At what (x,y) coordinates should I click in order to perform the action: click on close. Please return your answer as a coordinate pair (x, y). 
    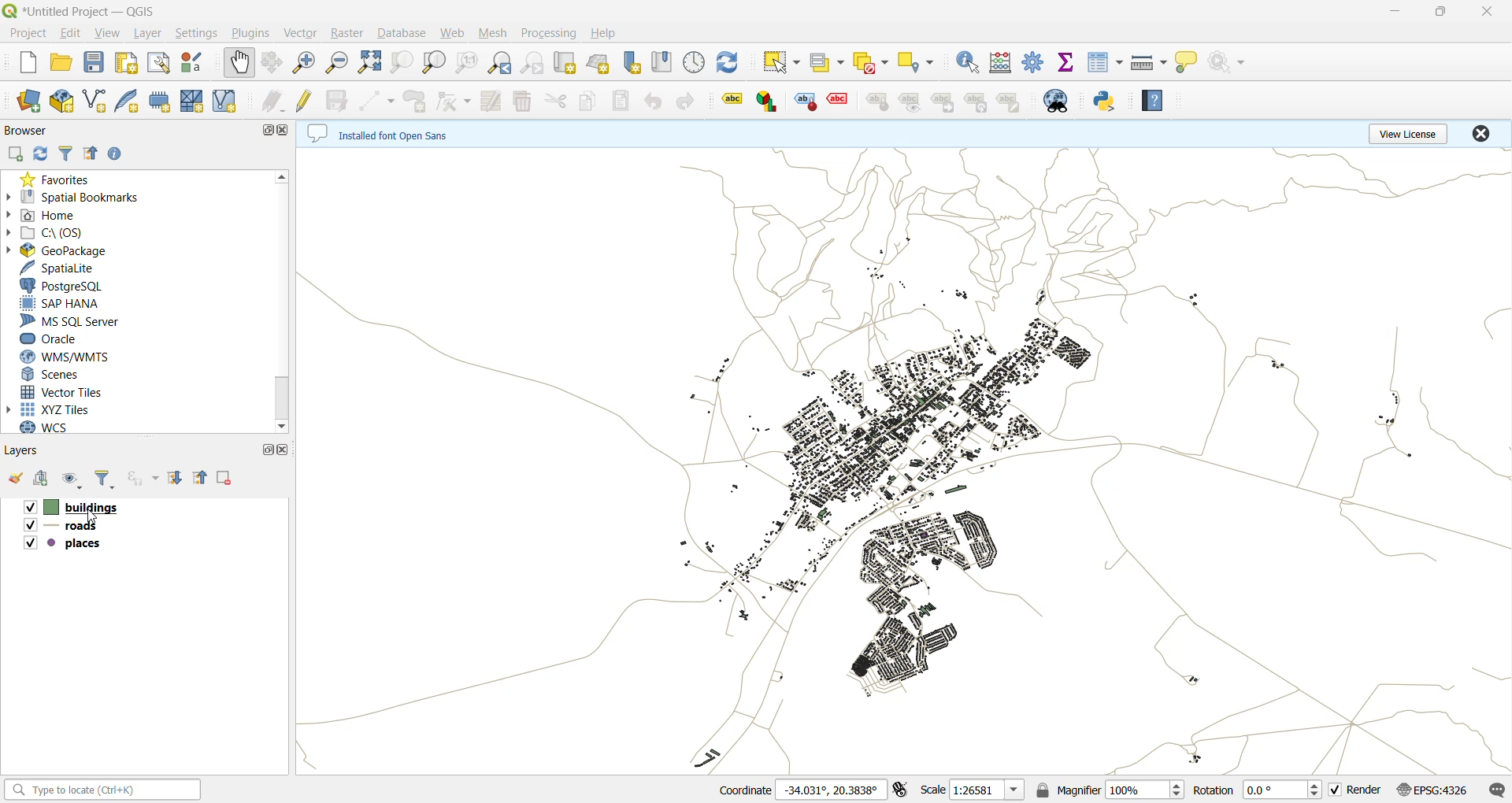
    Looking at the image, I should click on (1484, 132).